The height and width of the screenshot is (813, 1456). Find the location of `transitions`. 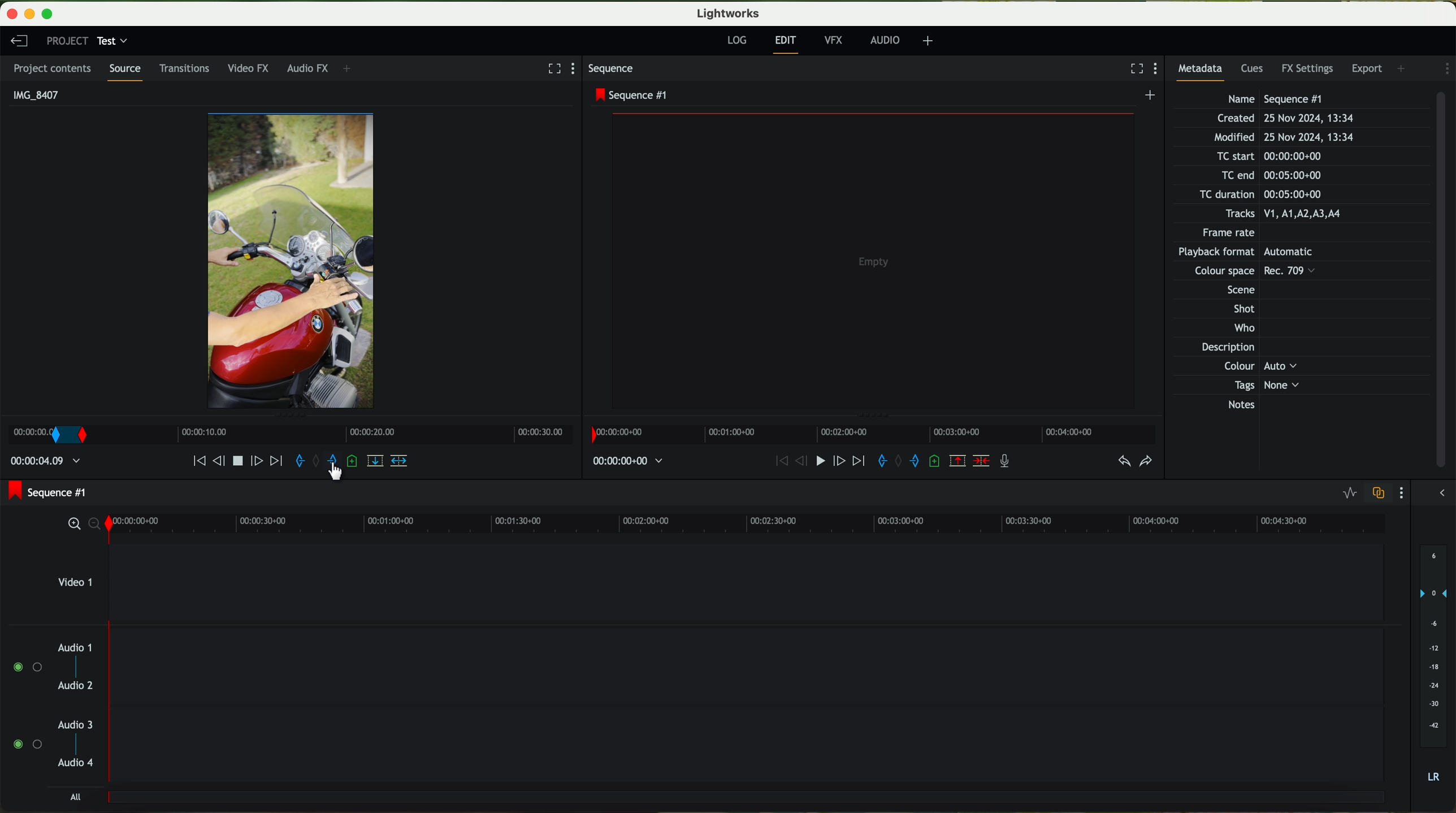

transitions is located at coordinates (187, 68).